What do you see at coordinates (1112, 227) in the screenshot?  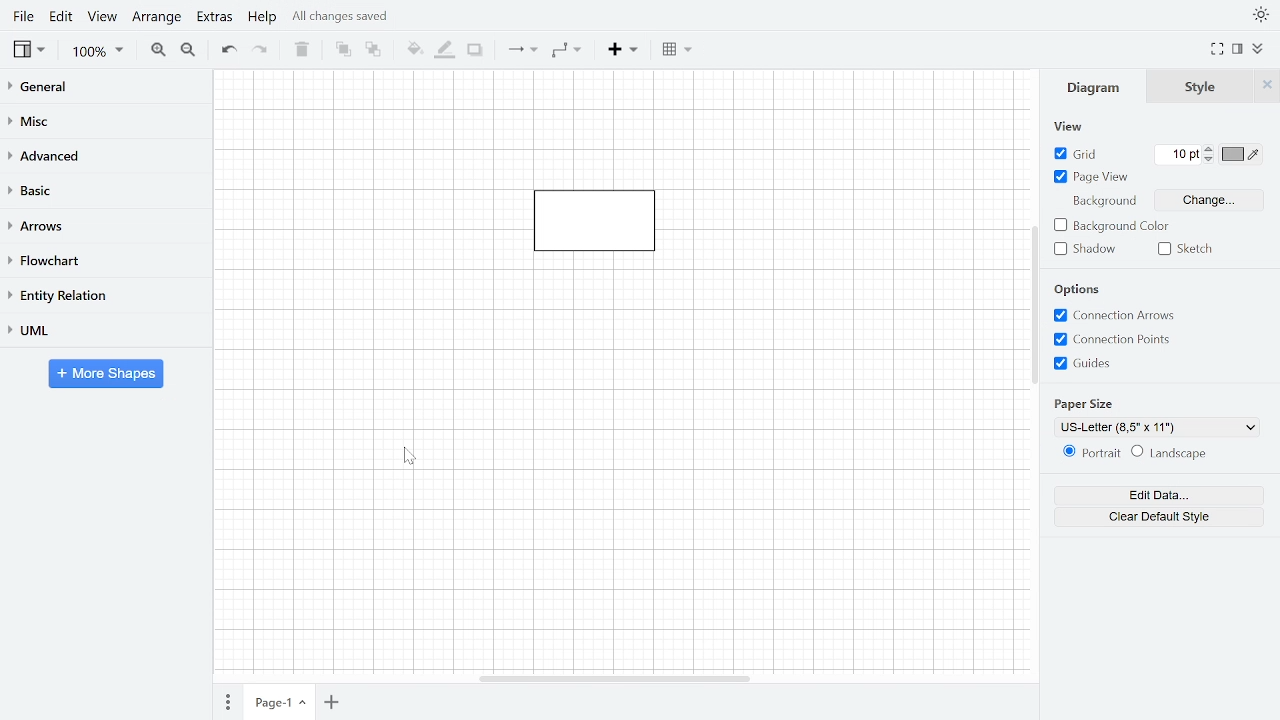 I see `Background color` at bounding box center [1112, 227].